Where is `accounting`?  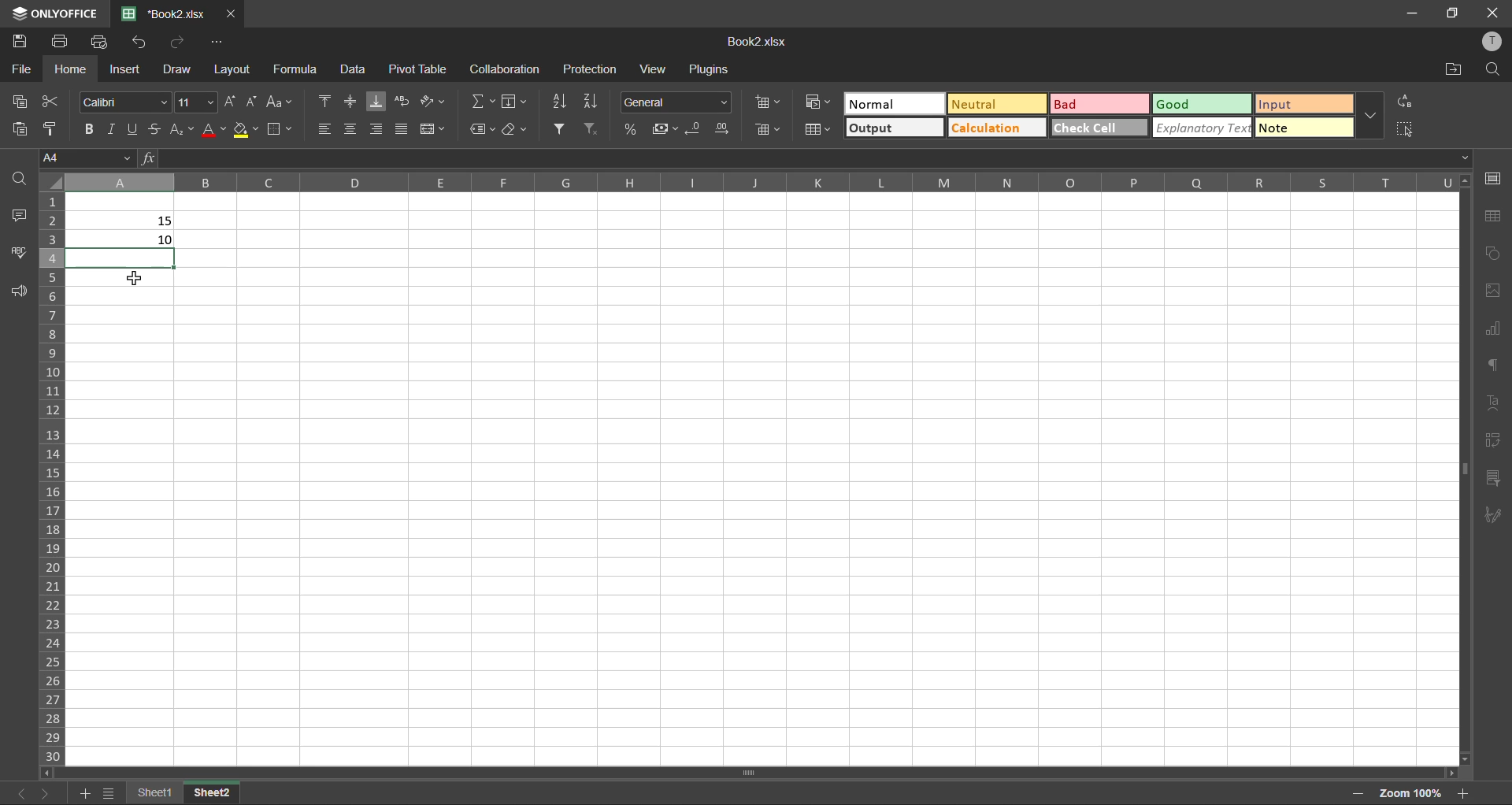 accounting is located at coordinates (665, 128).